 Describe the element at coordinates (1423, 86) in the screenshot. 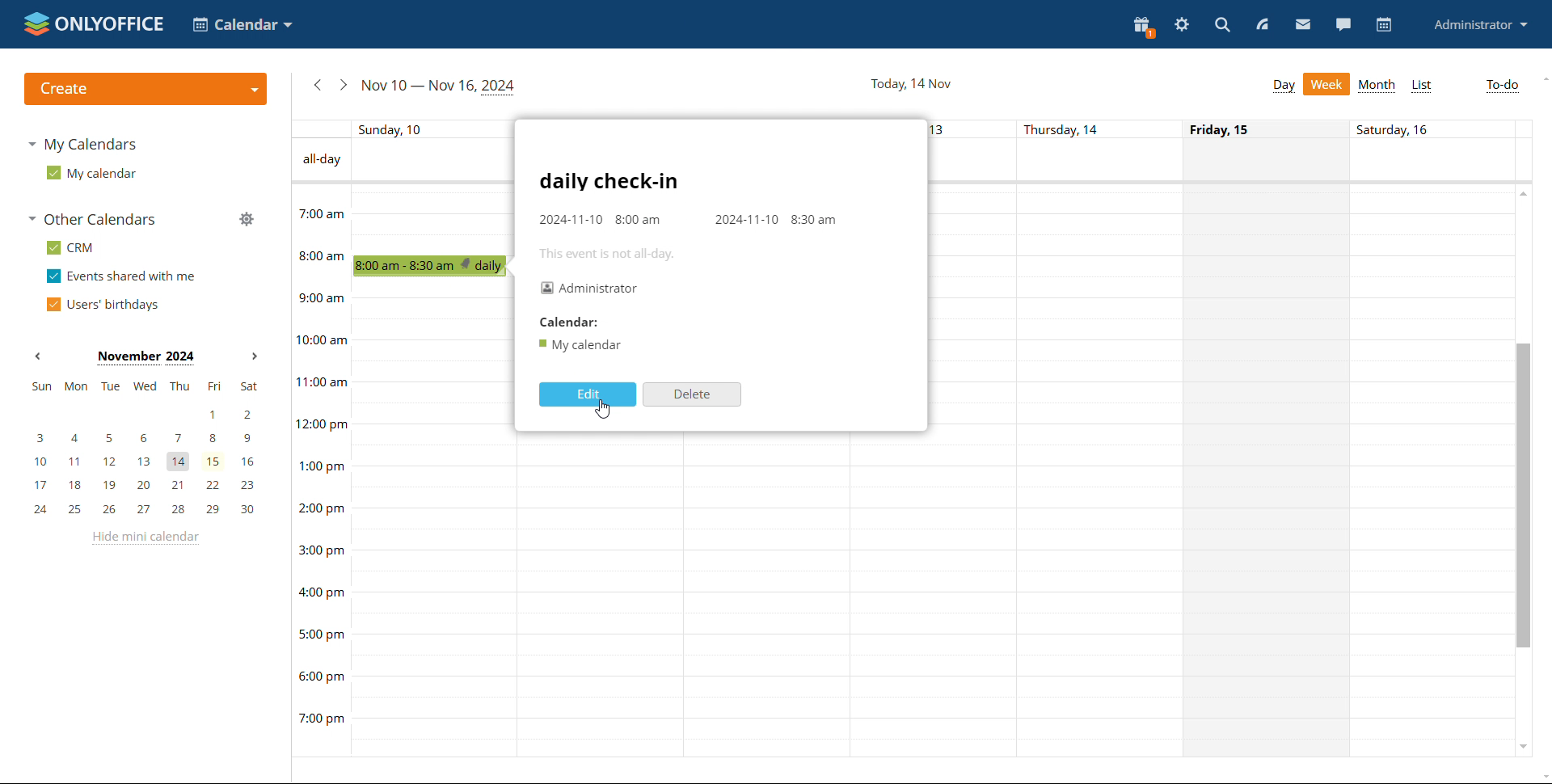

I see `list view` at that location.